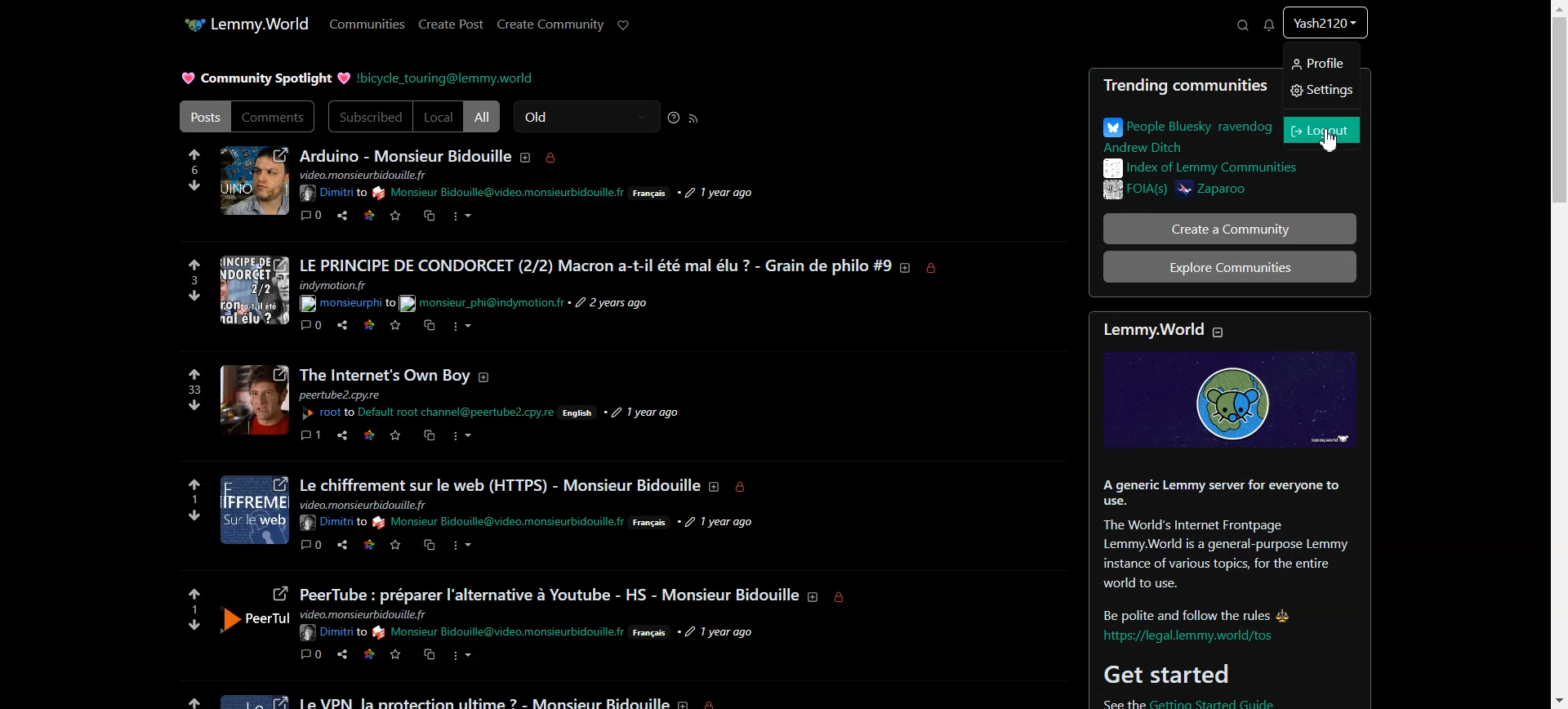  I want to click on Local, so click(438, 117).